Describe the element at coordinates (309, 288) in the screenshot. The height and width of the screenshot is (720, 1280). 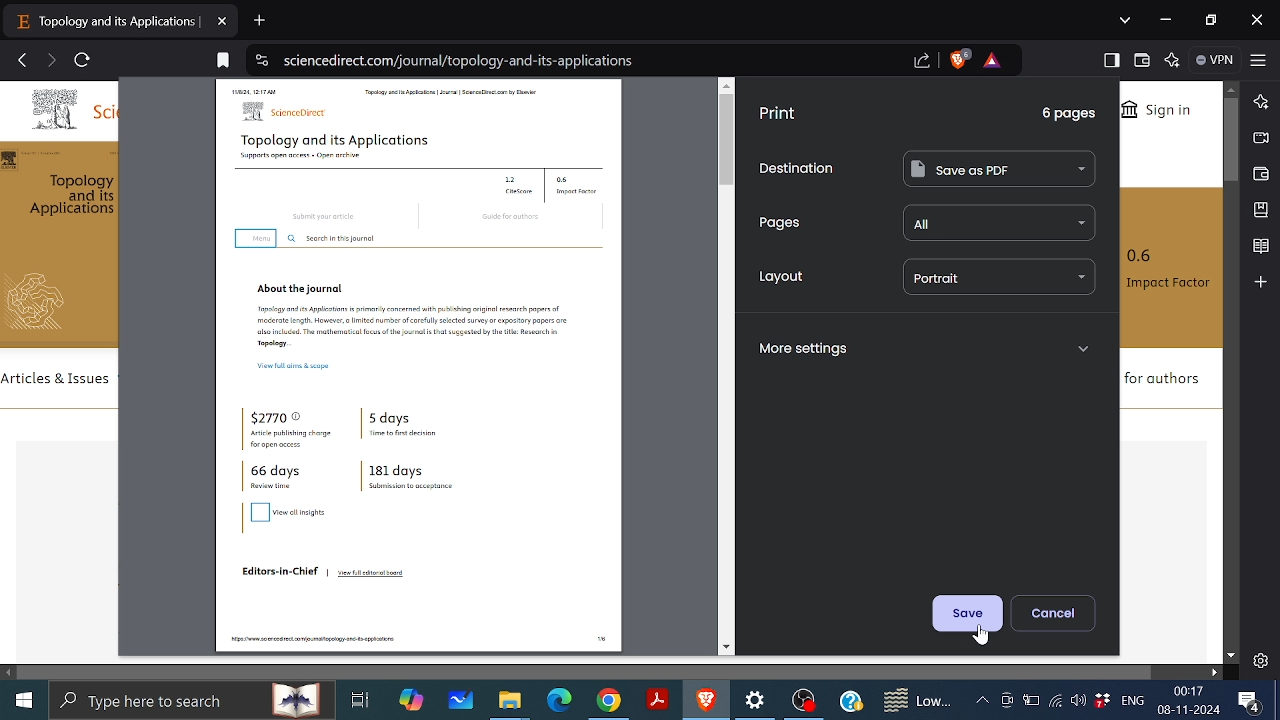
I see `About the journal` at that location.